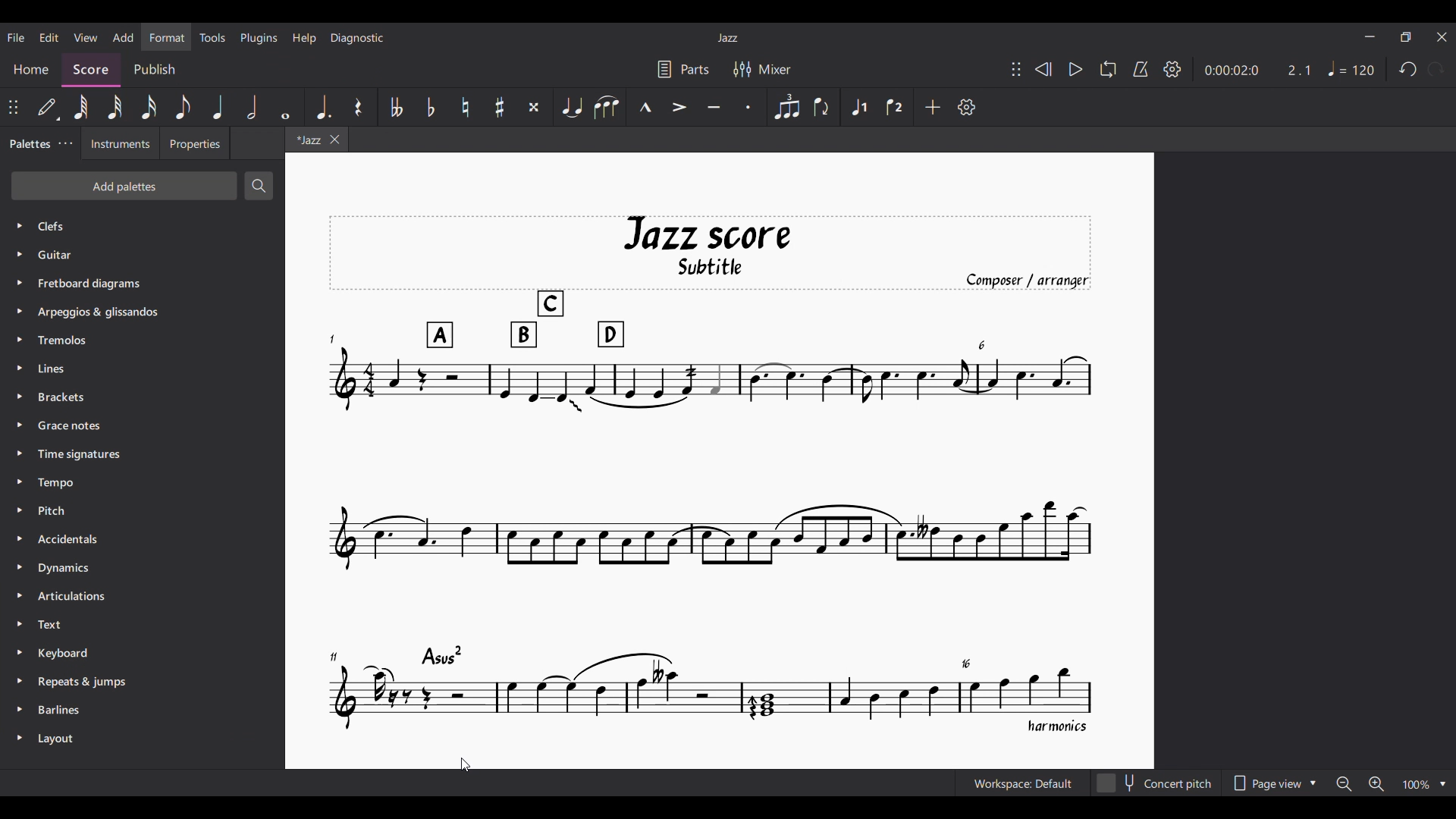  I want to click on Augmentation dot, so click(323, 107).